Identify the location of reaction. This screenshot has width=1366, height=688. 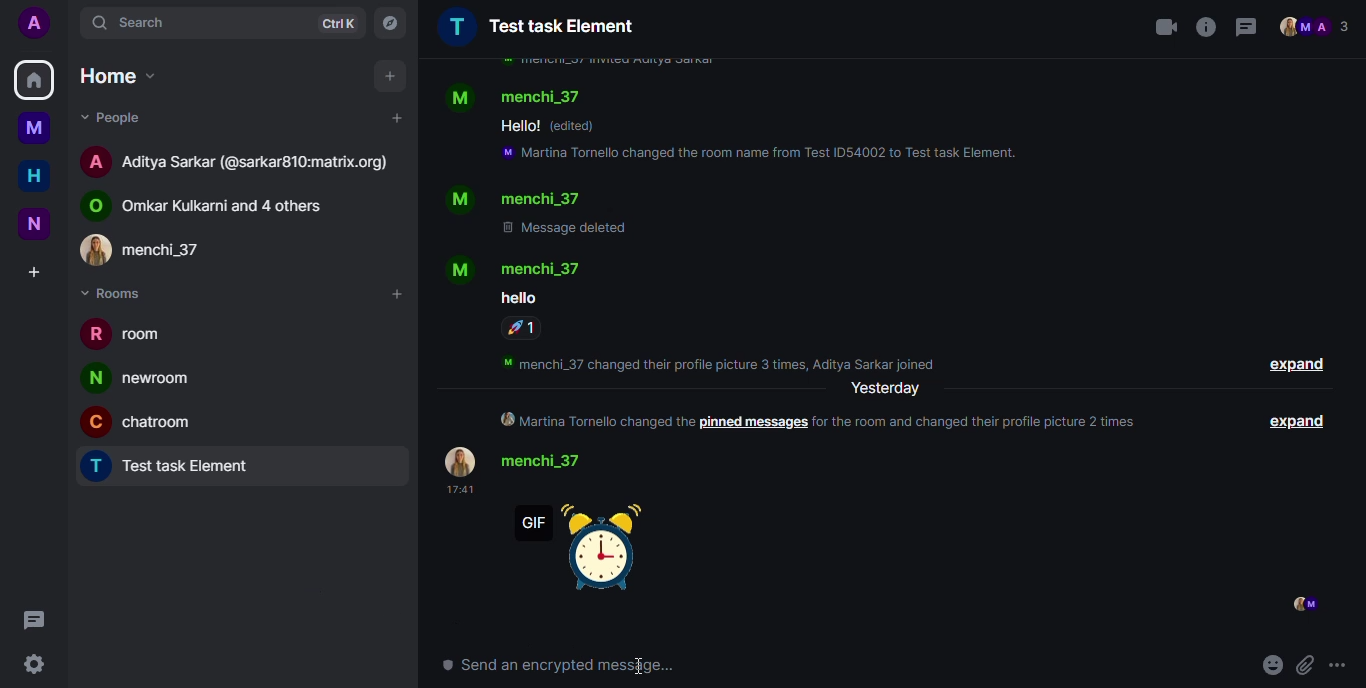
(523, 328).